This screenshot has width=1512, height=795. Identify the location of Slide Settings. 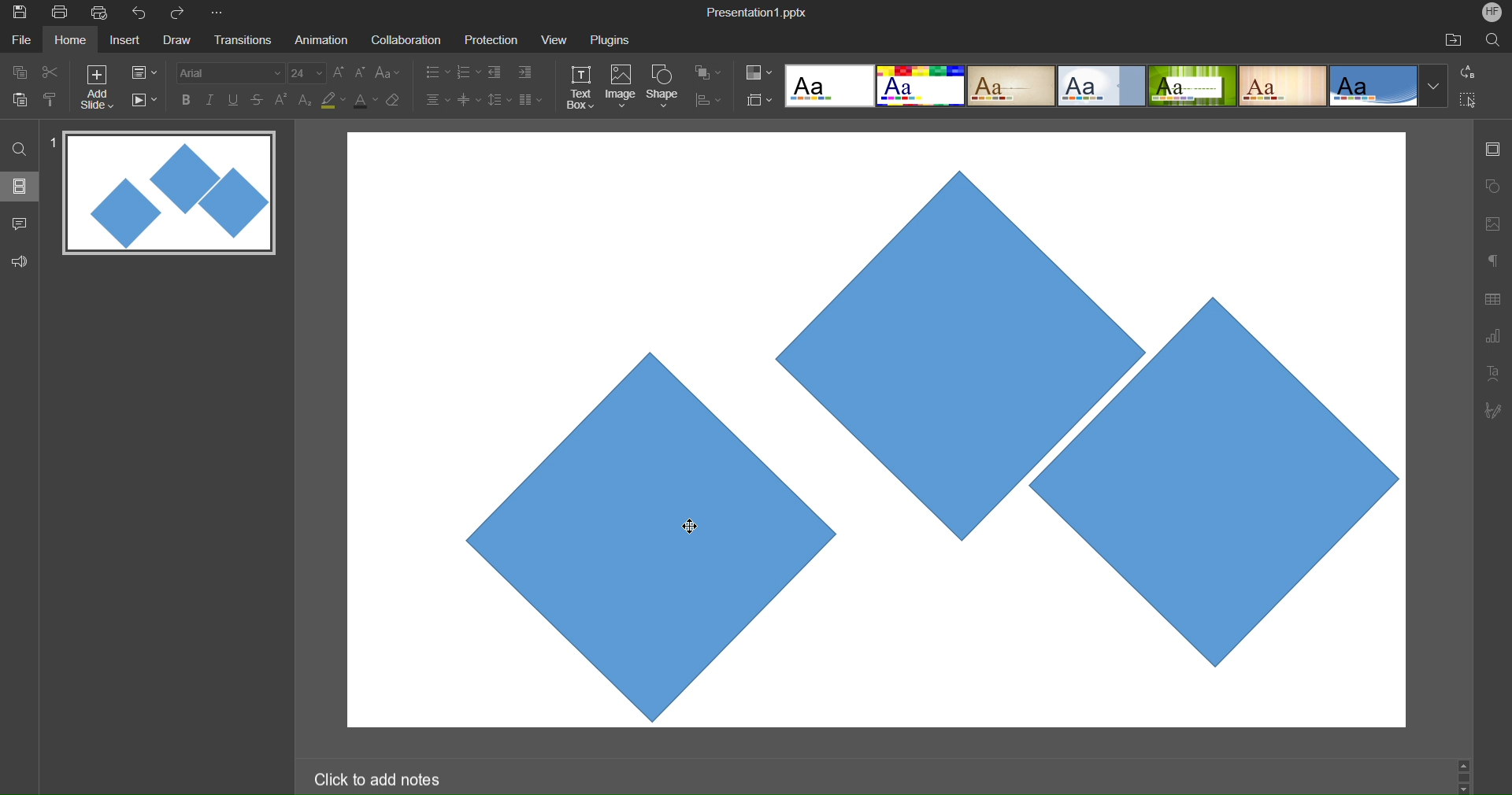
(144, 72).